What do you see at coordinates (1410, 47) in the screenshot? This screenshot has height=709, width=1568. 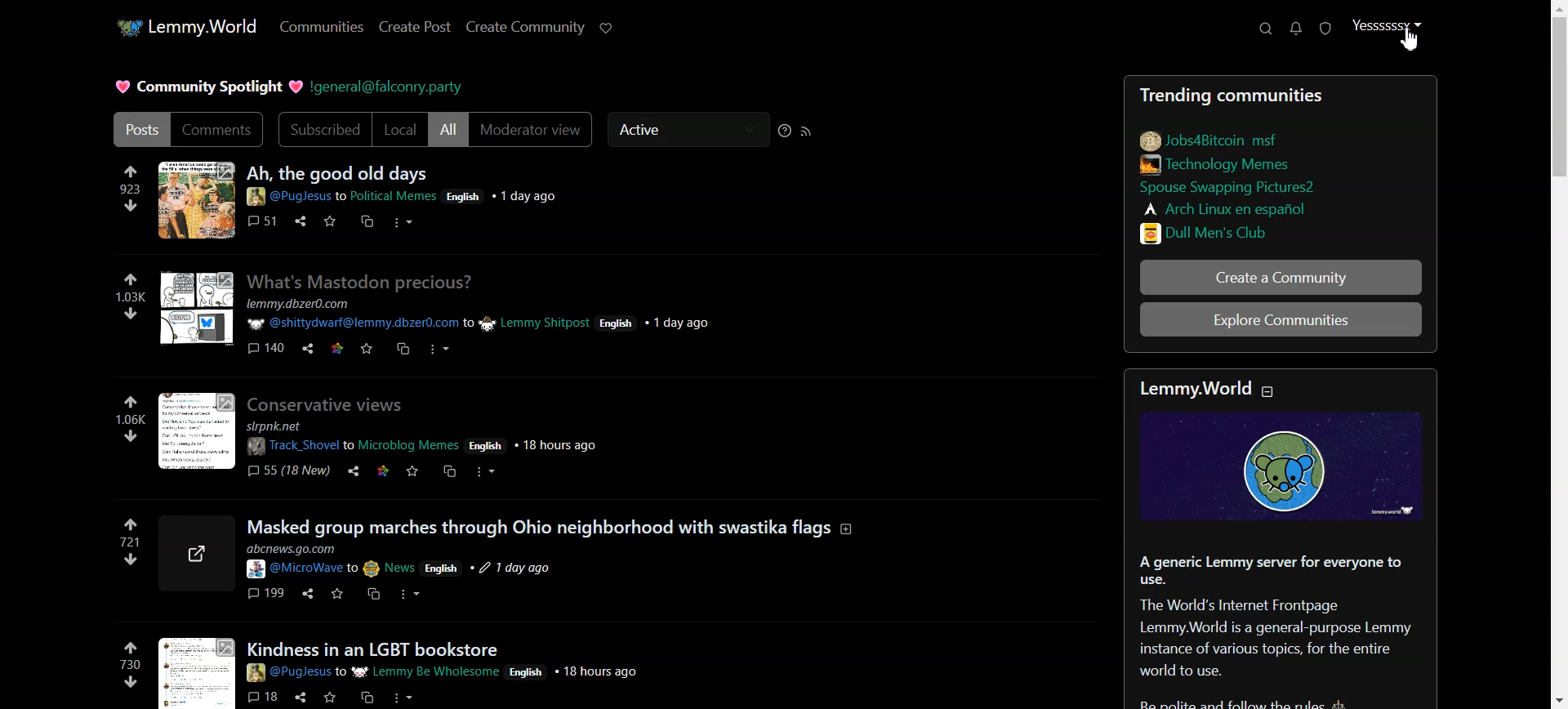 I see `cursor` at bounding box center [1410, 47].